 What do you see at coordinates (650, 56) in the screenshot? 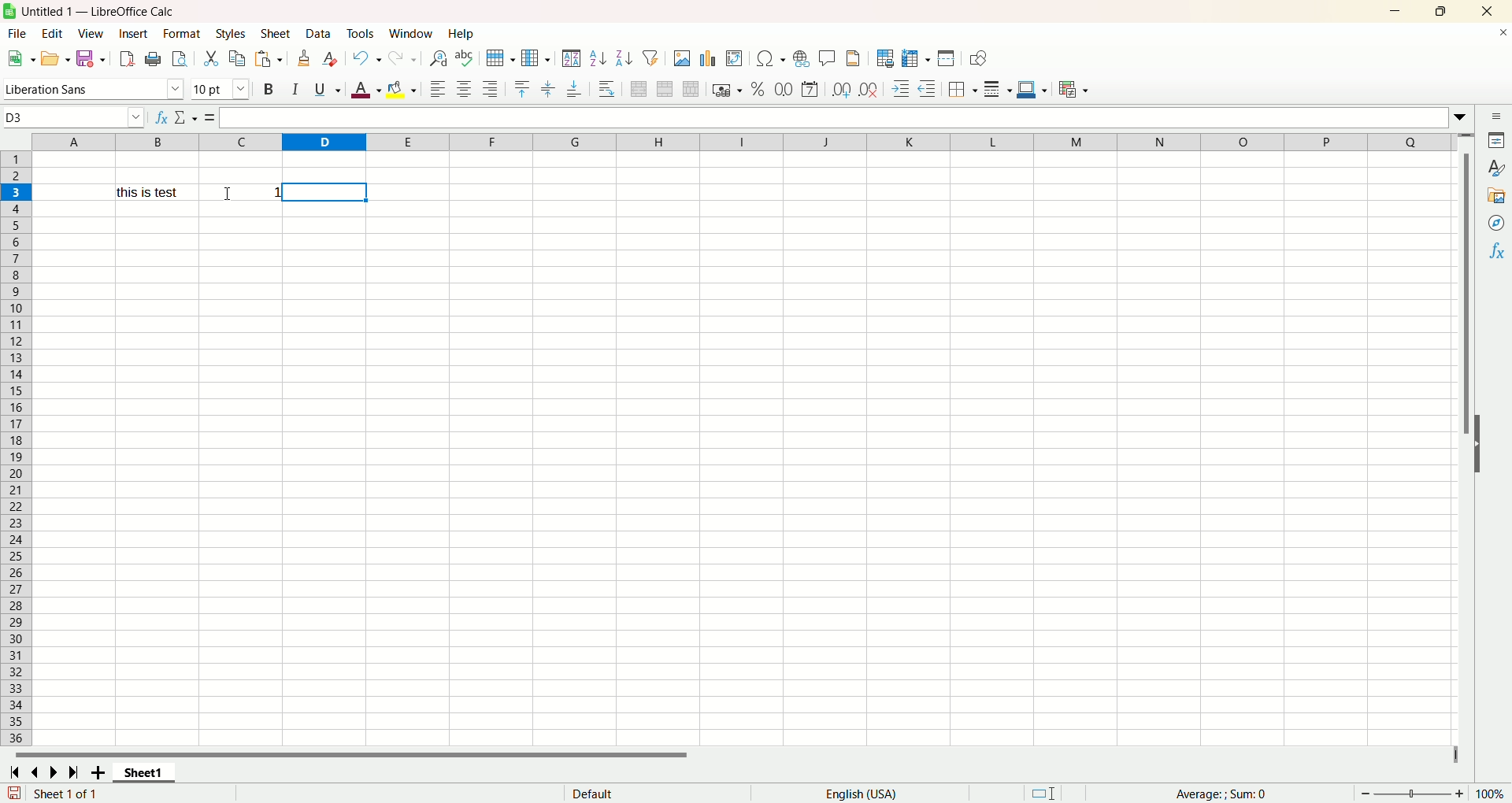
I see `auto filter` at bounding box center [650, 56].